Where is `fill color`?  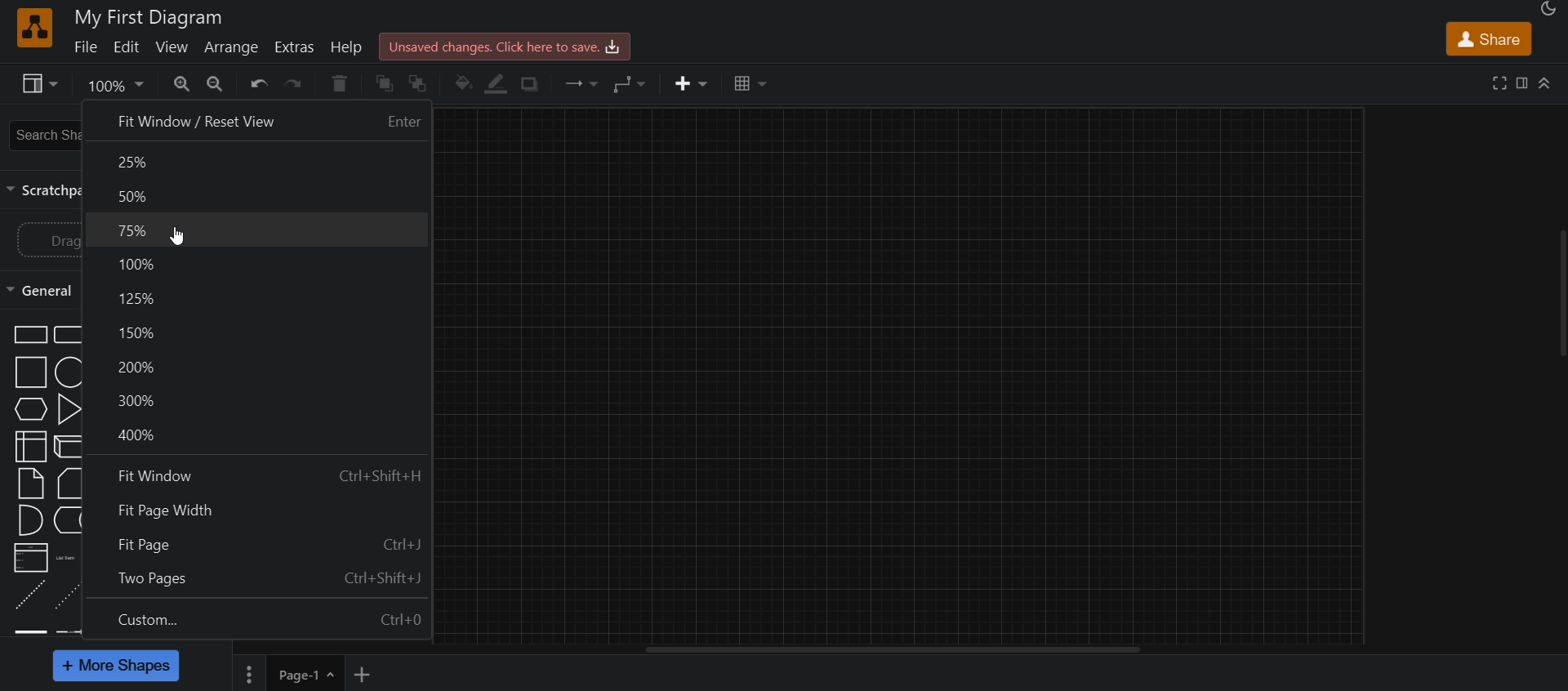 fill color is located at coordinates (464, 84).